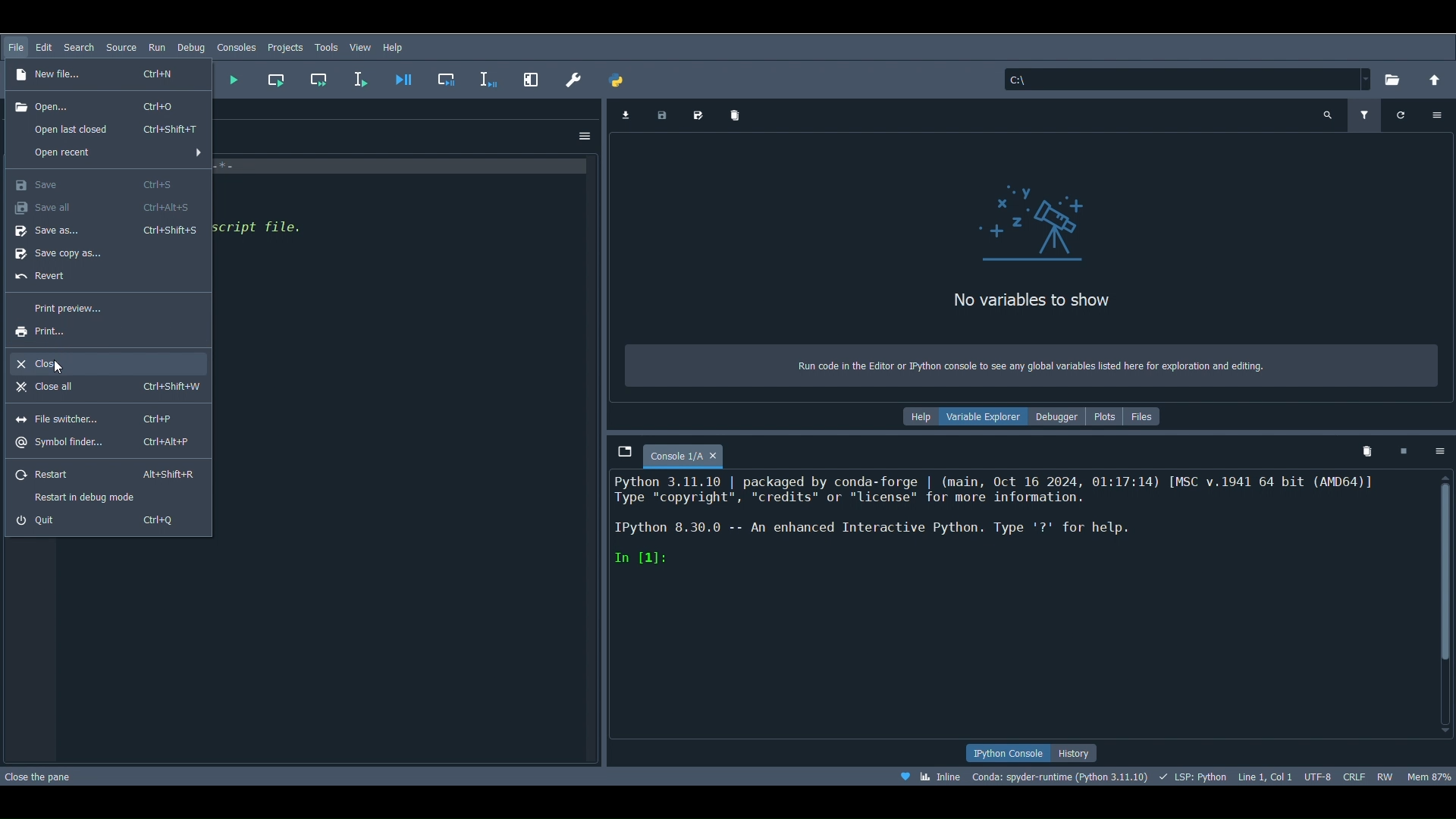 This screenshot has width=1456, height=819. Describe the element at coordinates (104, 442) in the screenshot. I see `Symbol finder` at that location.